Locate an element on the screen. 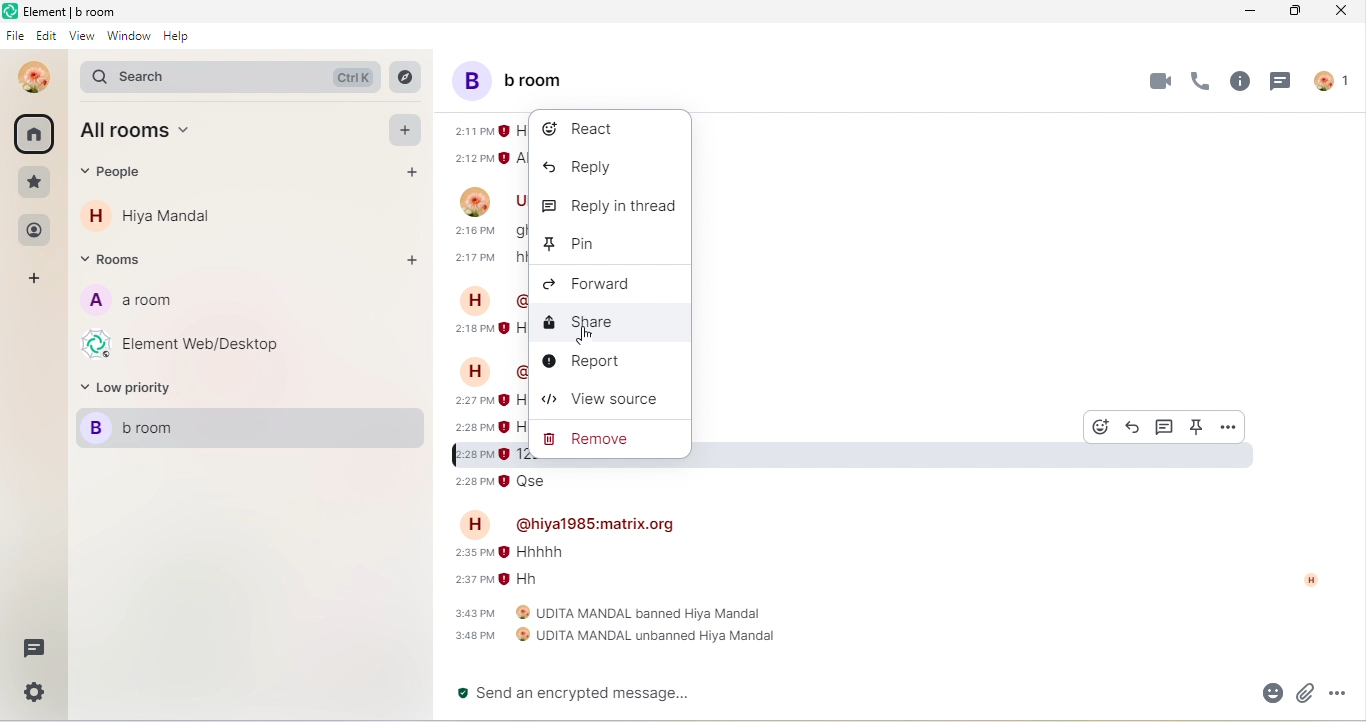  rooms is located at coordinates (119, 262).